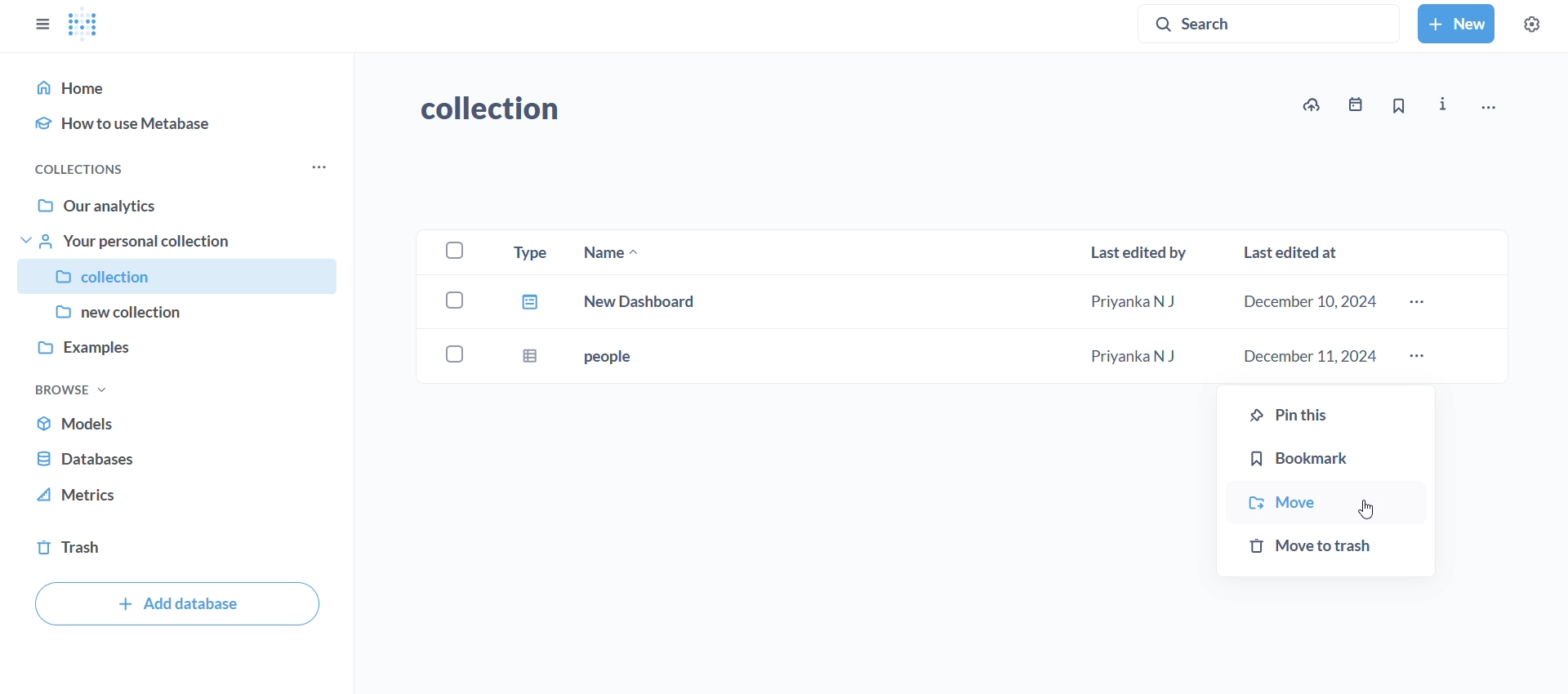 This screenshot has height=694, width=1568. What do you see at coordinates (1530, 24) in the screenshot?
I see `settings` at bounding box center [1530, 24].